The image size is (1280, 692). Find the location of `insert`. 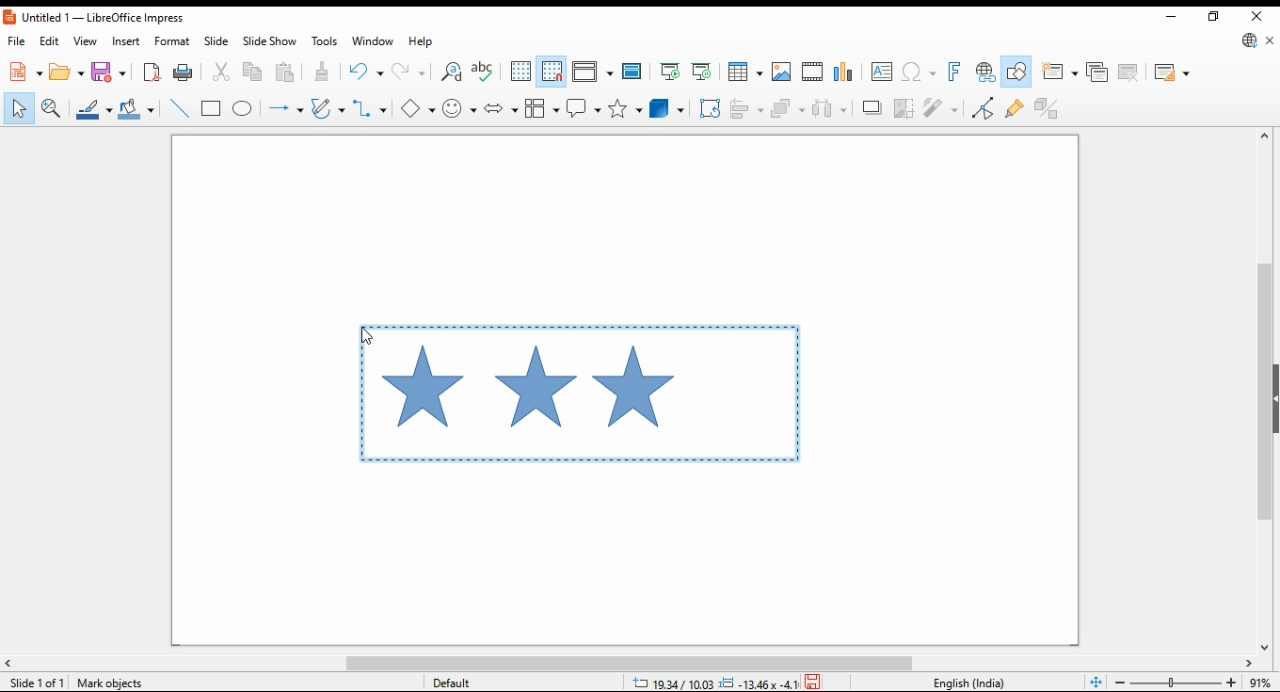

insert is located at coordinates (125, 41).